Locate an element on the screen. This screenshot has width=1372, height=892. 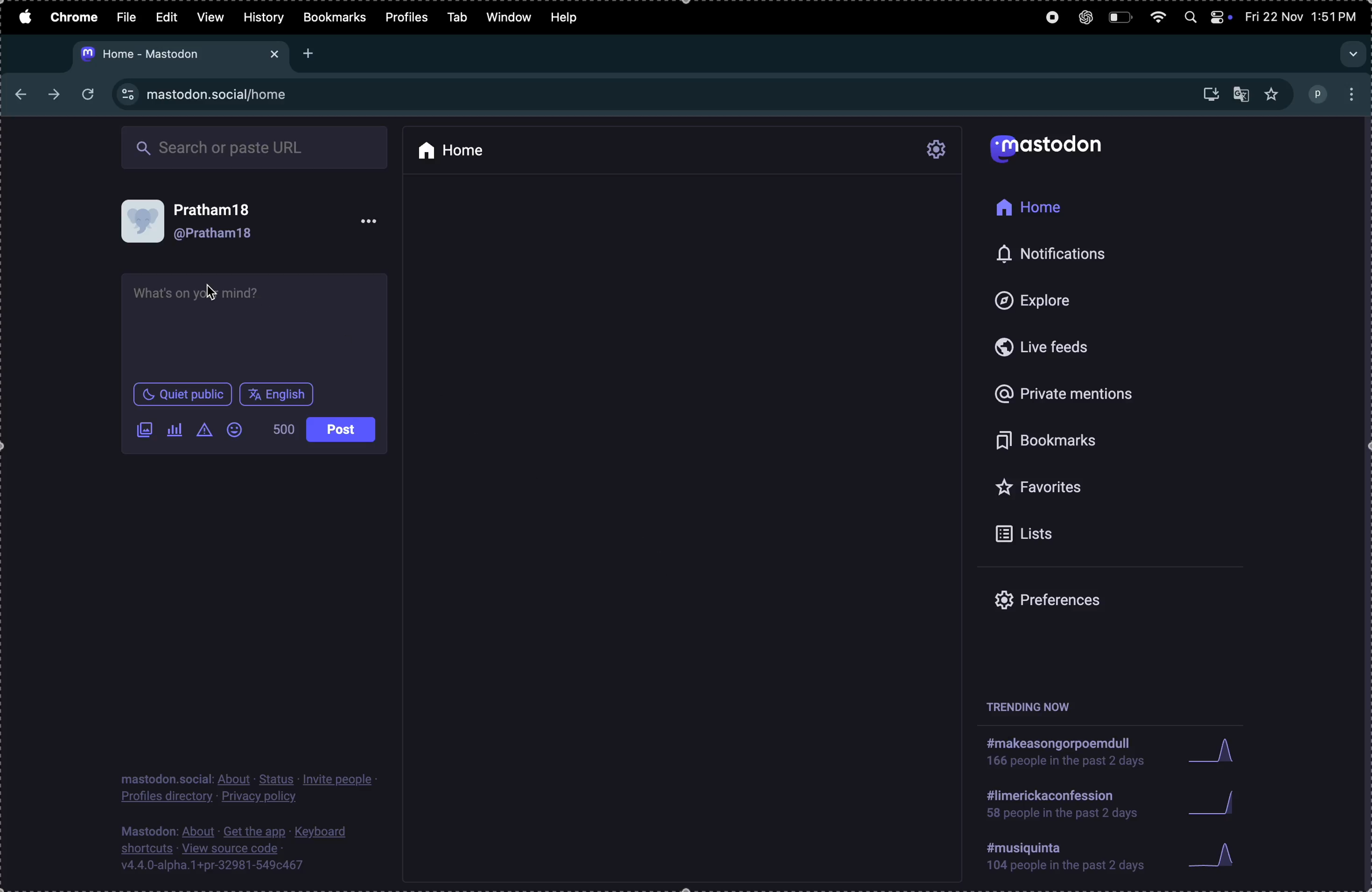
live feeds is located at coordinates (1058, 344).